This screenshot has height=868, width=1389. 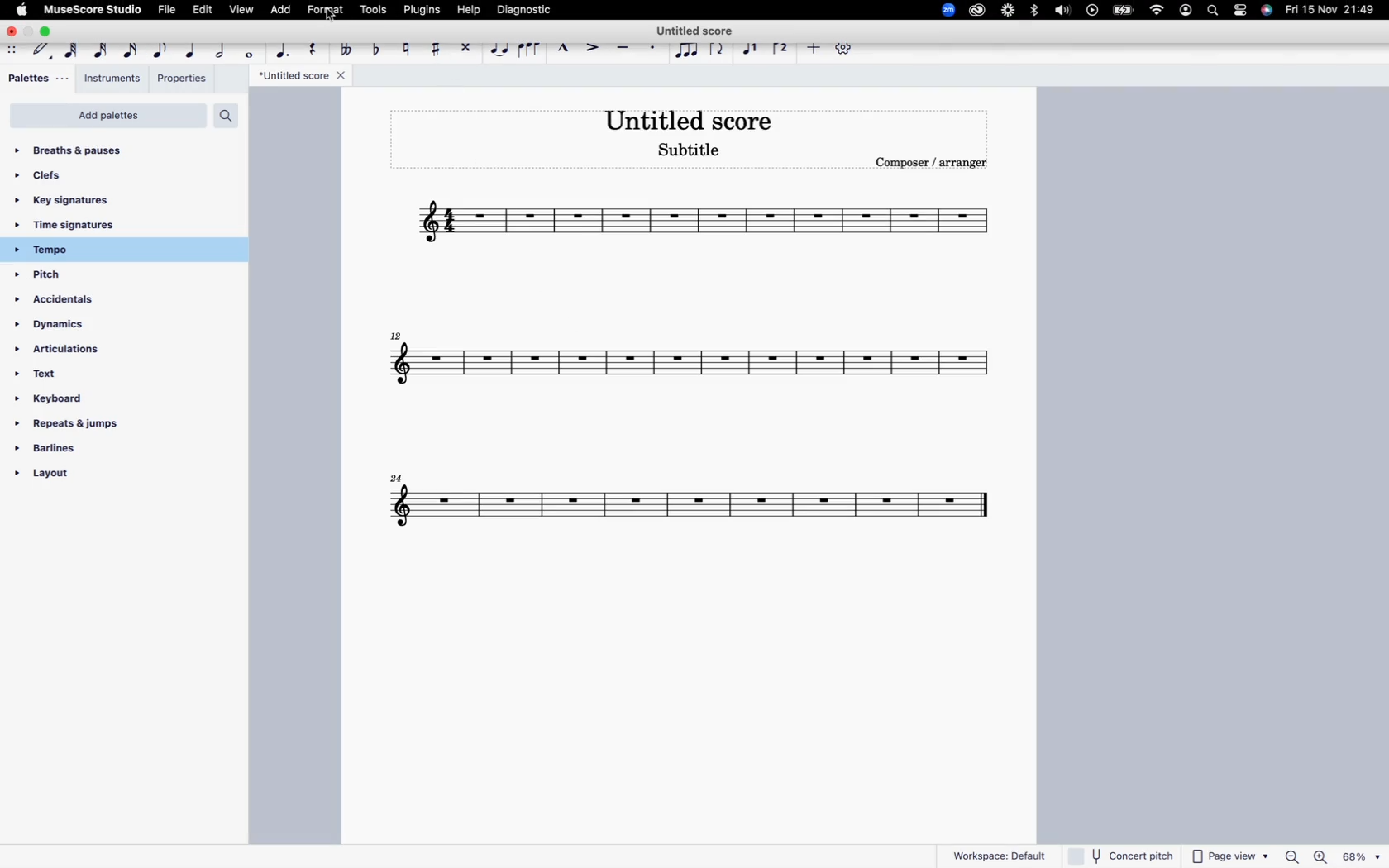 I want to click on keyboard, so click(x=67, y=401).